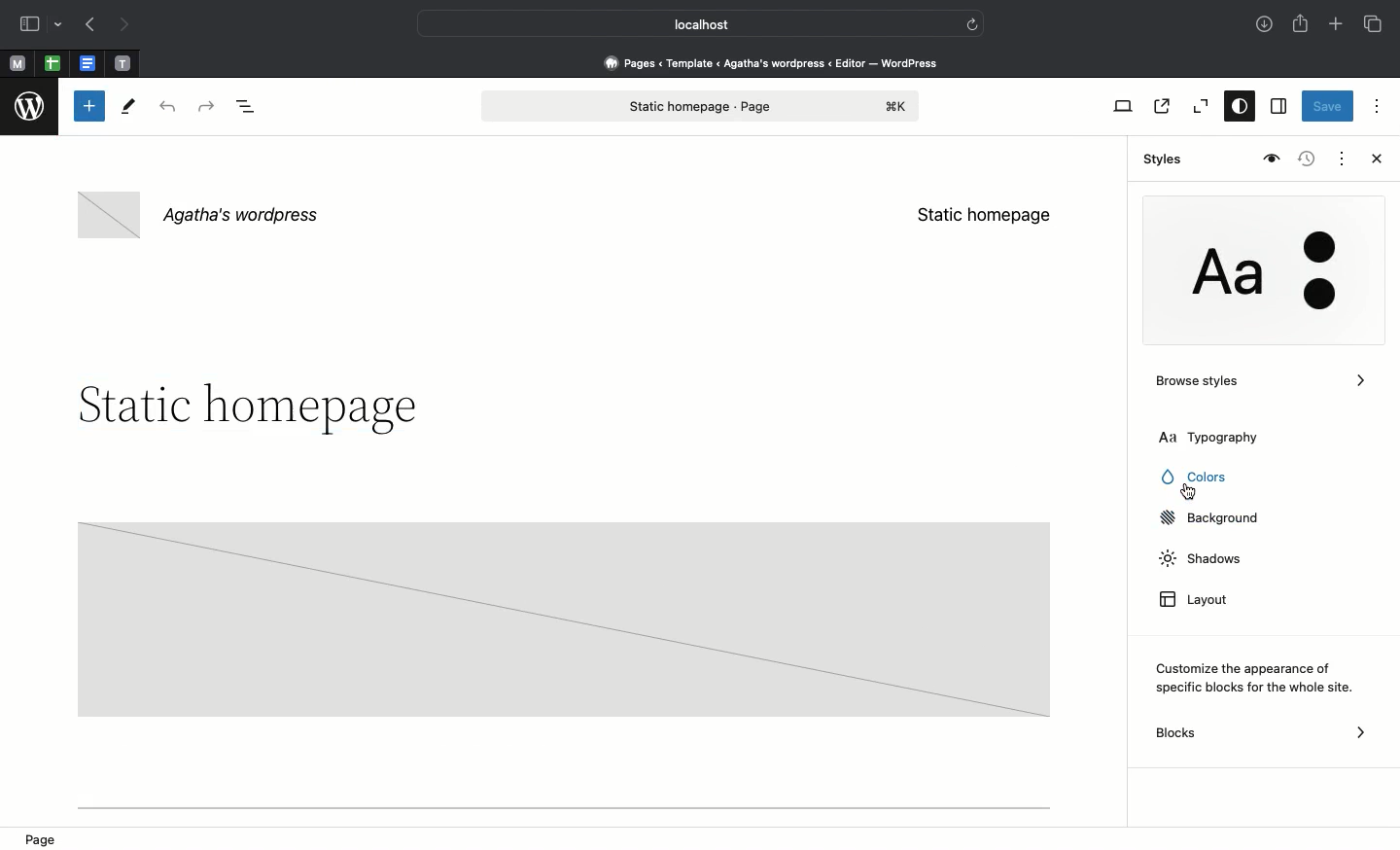 The width and height of the screenshot is (1400, 850). Describe the element at coordinates (250, 108) in the screenshot. I see `Document overview` at that location.